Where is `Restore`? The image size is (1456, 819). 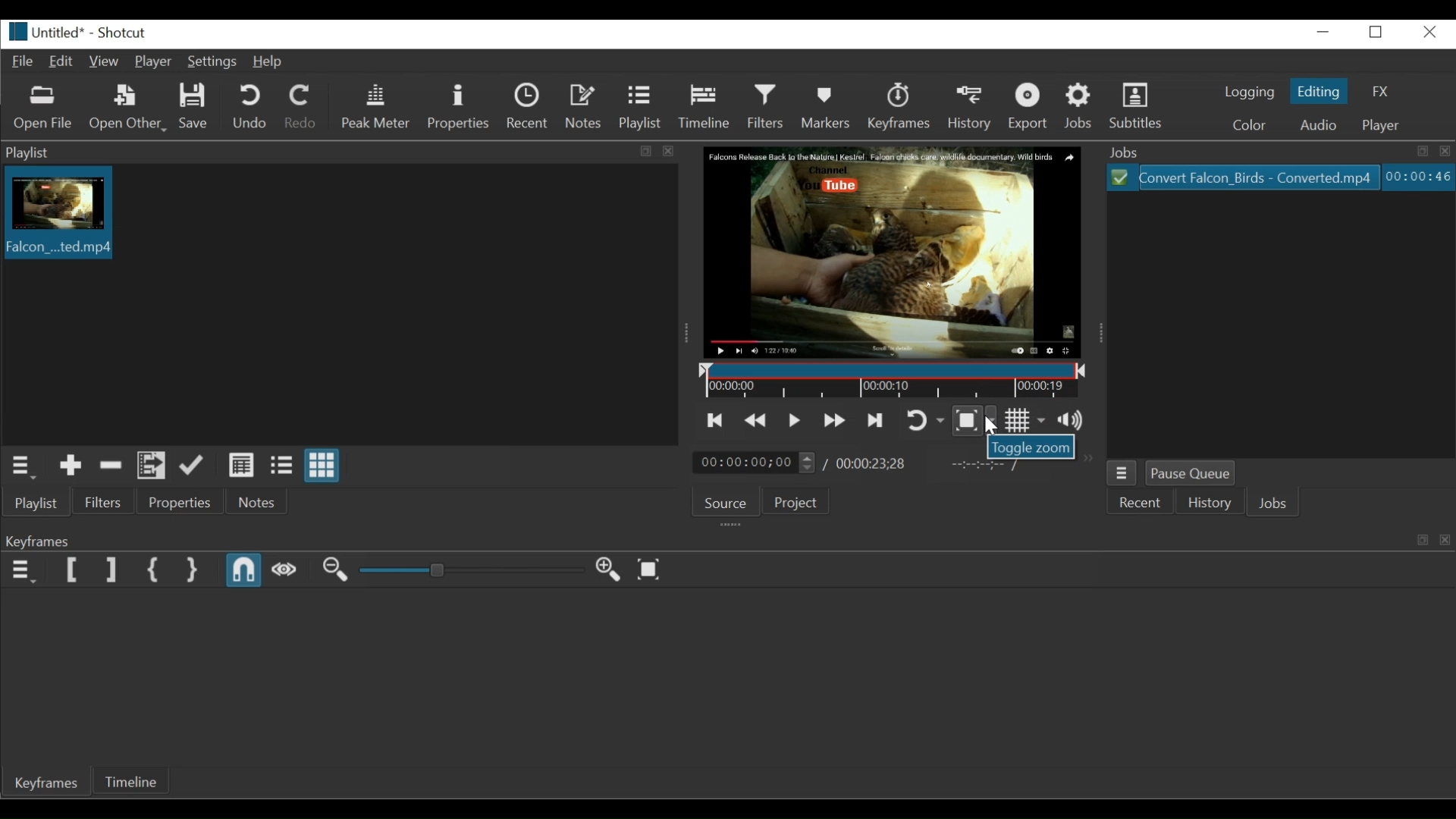 Restore is located at coordinates (1376, 33).